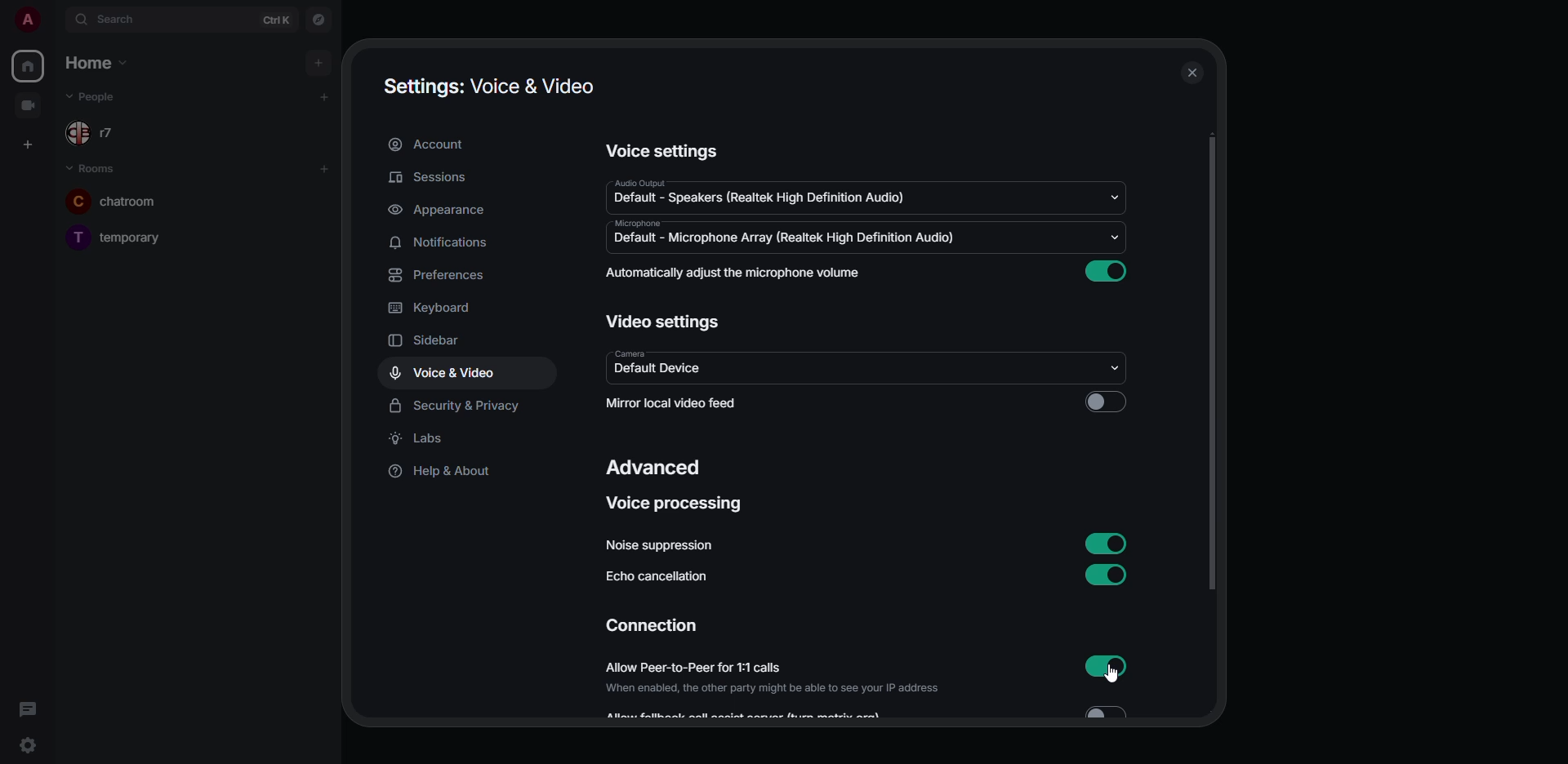 The width and height of the screenshot is (1568, 764). I want to click on video room, so click(34, 105).